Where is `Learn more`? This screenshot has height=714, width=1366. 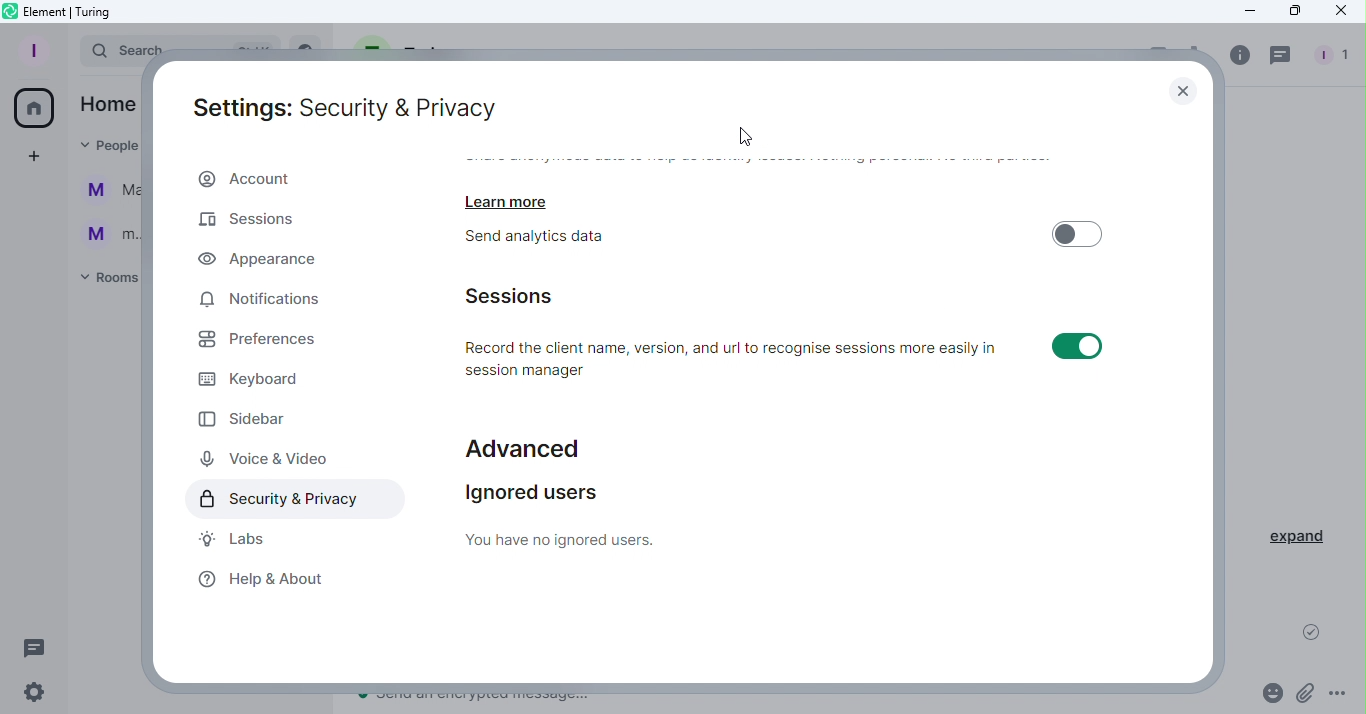
Learn more is located at coordinates (514, 197).